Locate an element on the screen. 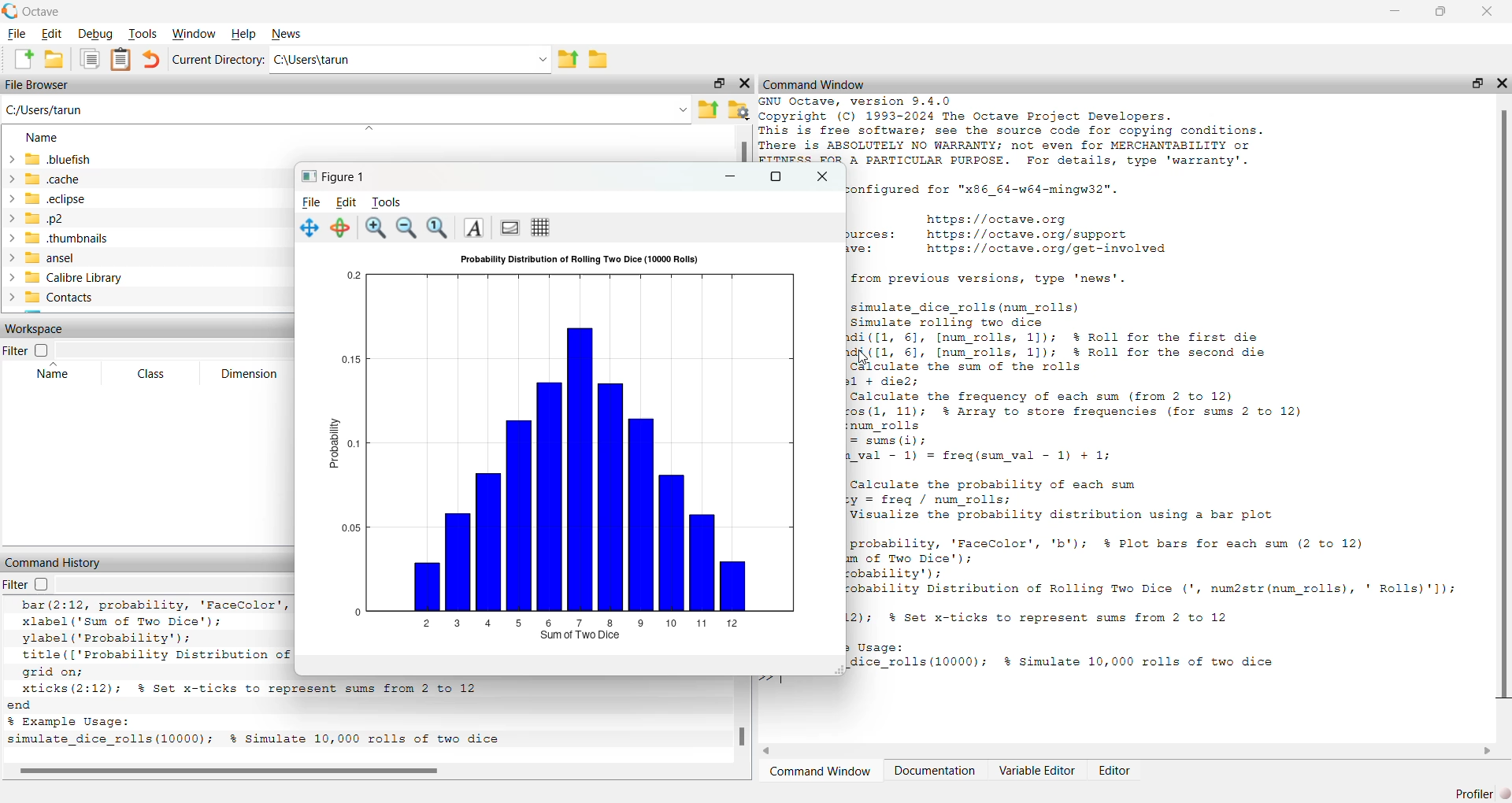  Debug is located at coordinates (96, 32).